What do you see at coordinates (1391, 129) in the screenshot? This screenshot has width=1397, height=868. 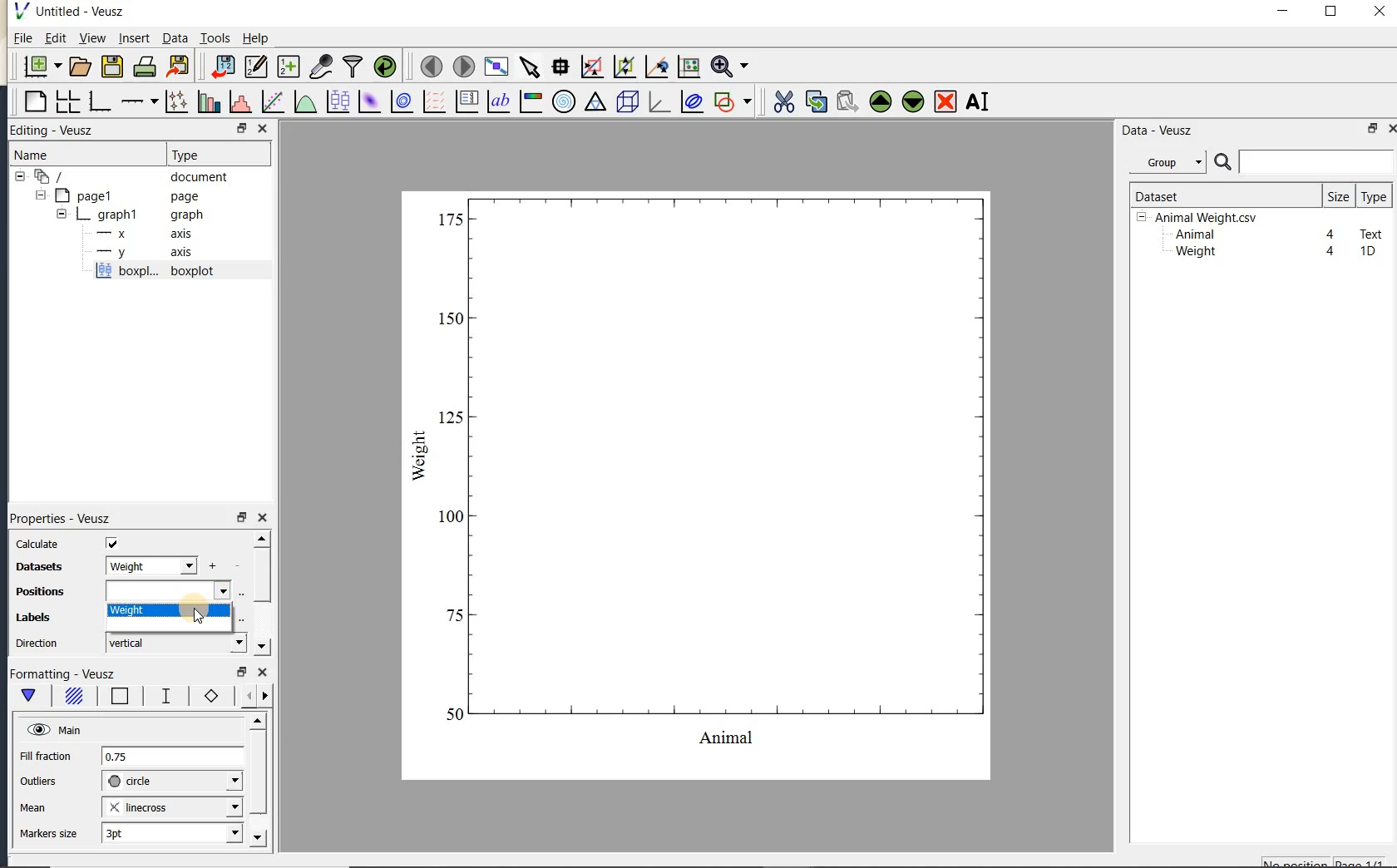 I see `close` at bounding box center [1391, 129].